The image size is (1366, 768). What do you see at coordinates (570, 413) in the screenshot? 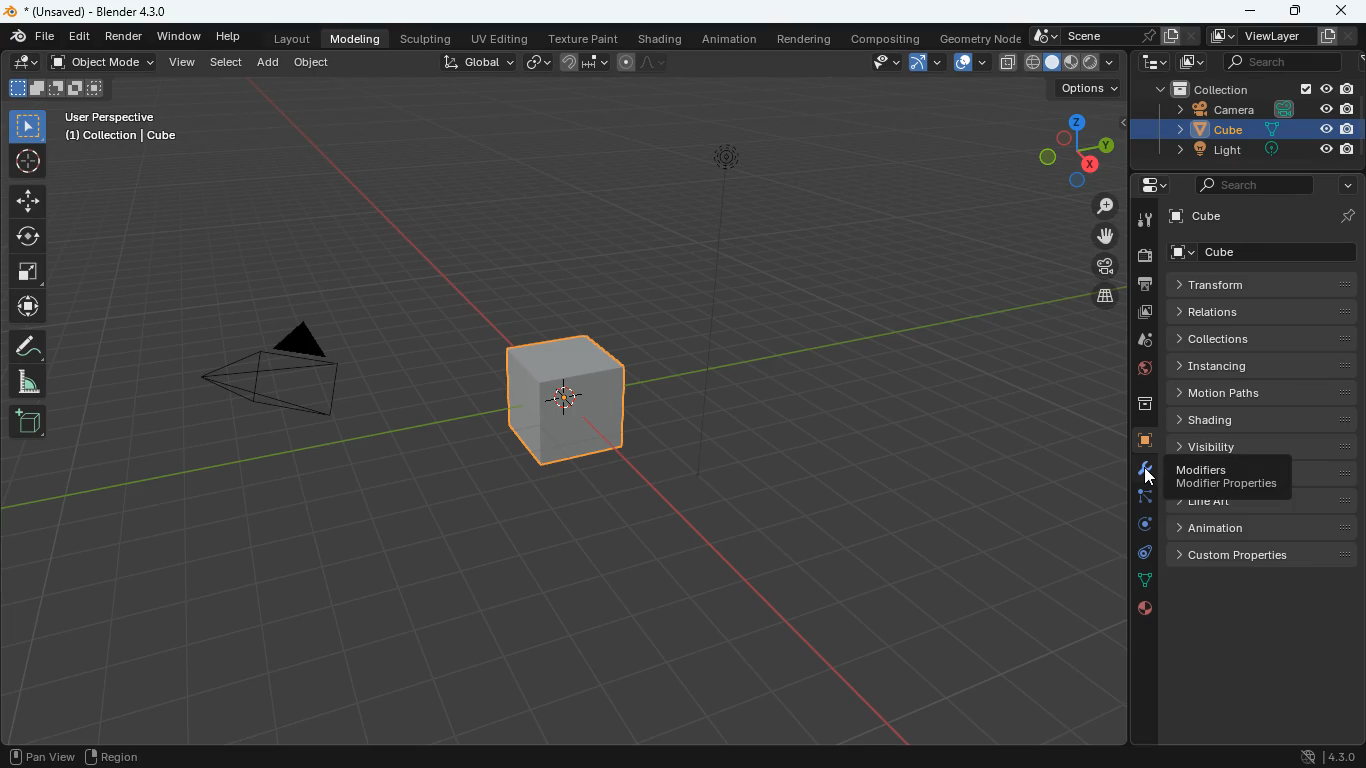
I see `cube` at bounding box center [570, 413].